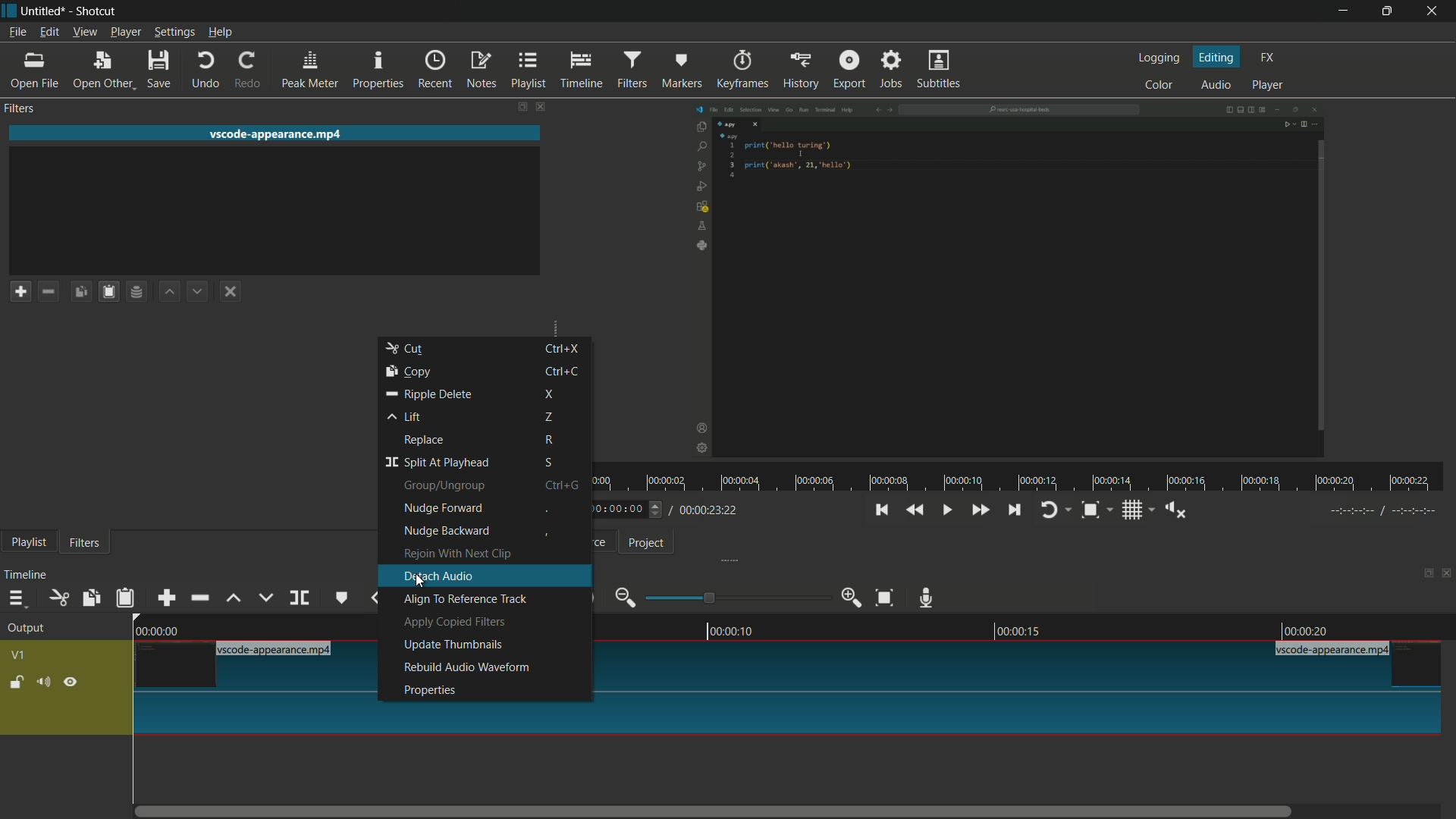 This screenshot has width=1456, height=819. Describe the element at coordinates (1267, 58) in the screenshot. I see `fx` at that location.